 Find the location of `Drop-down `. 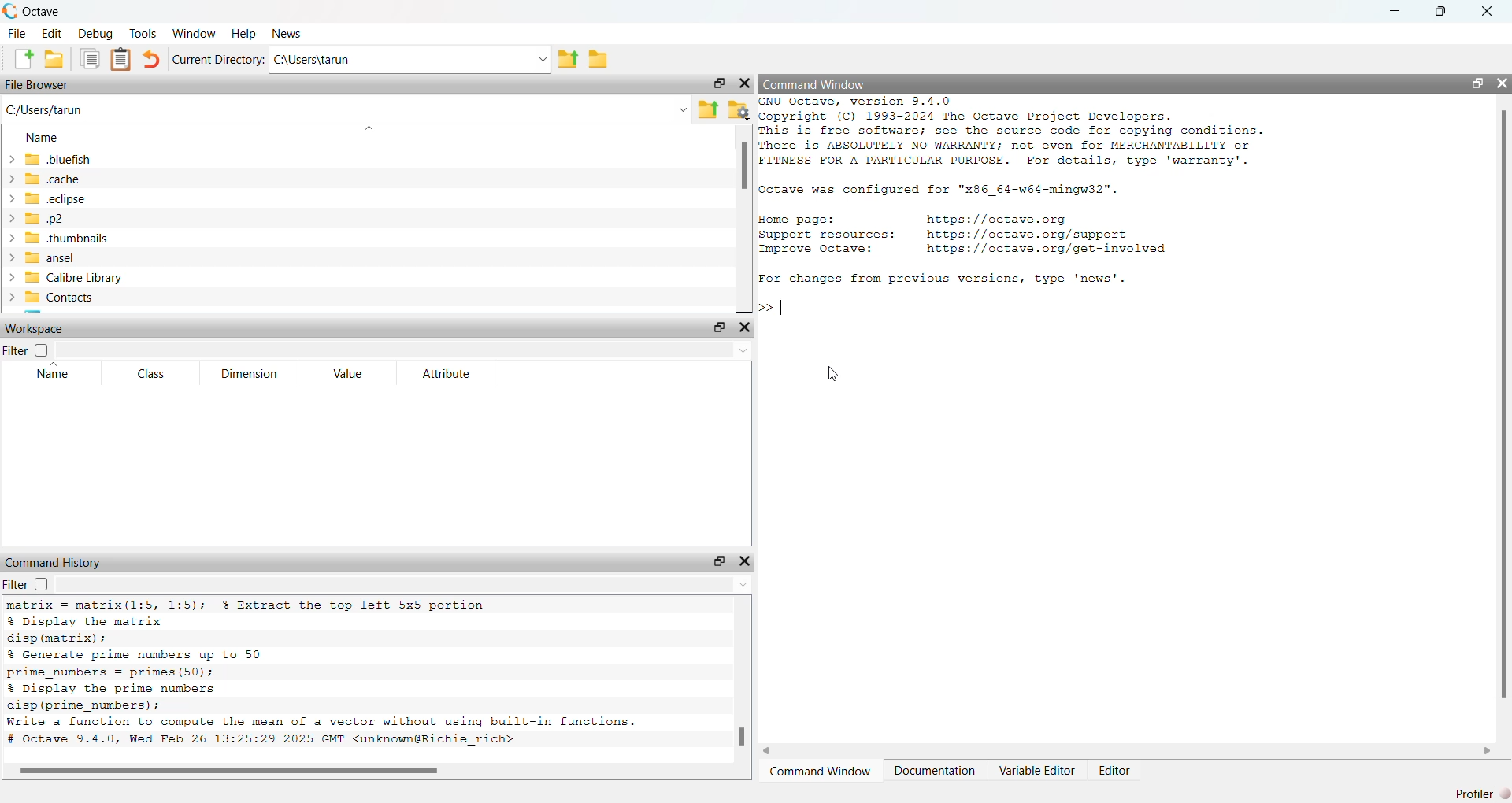

Drop-down  is located at coordinates (683, 111).